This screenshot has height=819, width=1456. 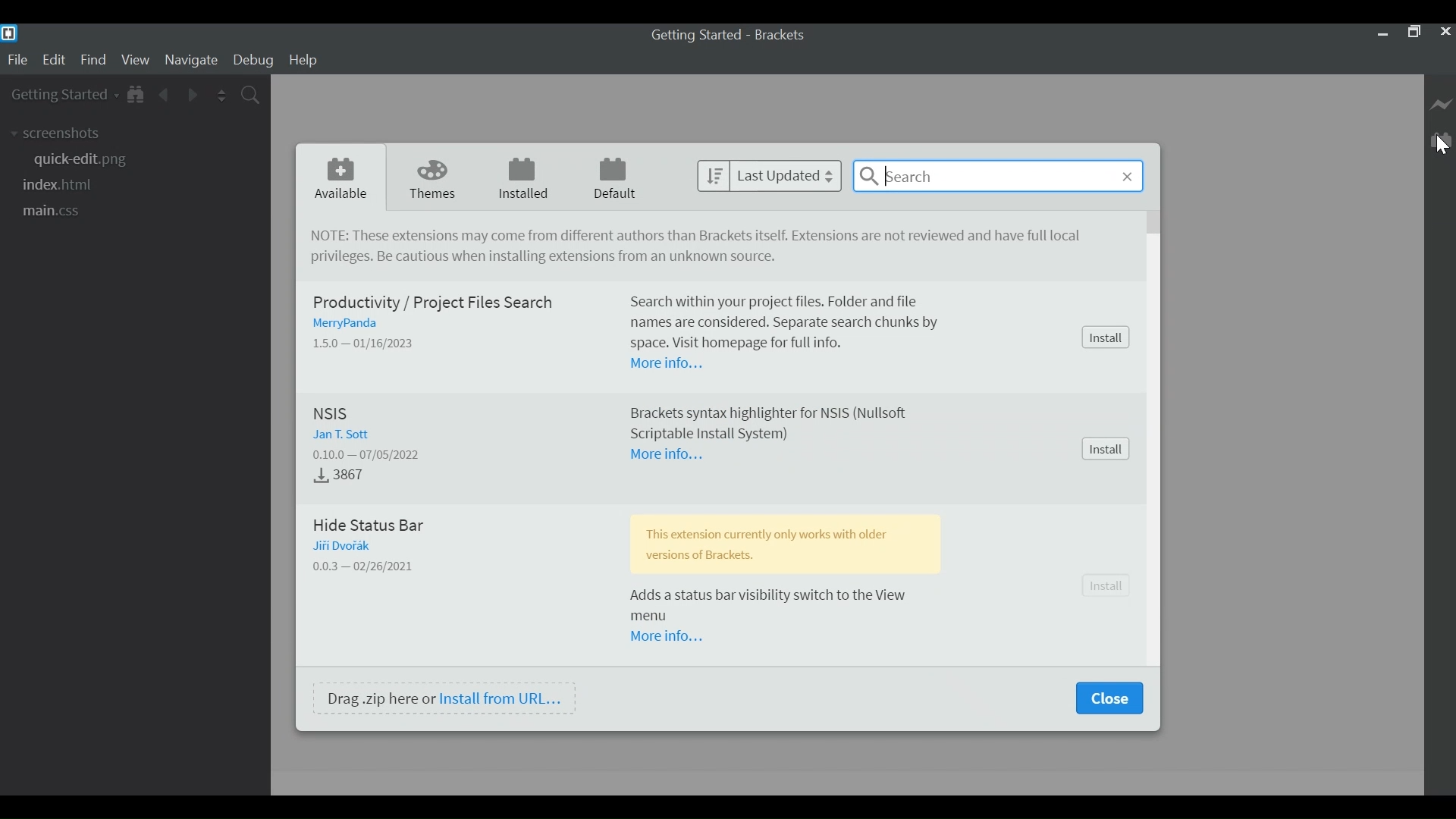 I want to click on Navigate Back, so click(x=165, y=93).